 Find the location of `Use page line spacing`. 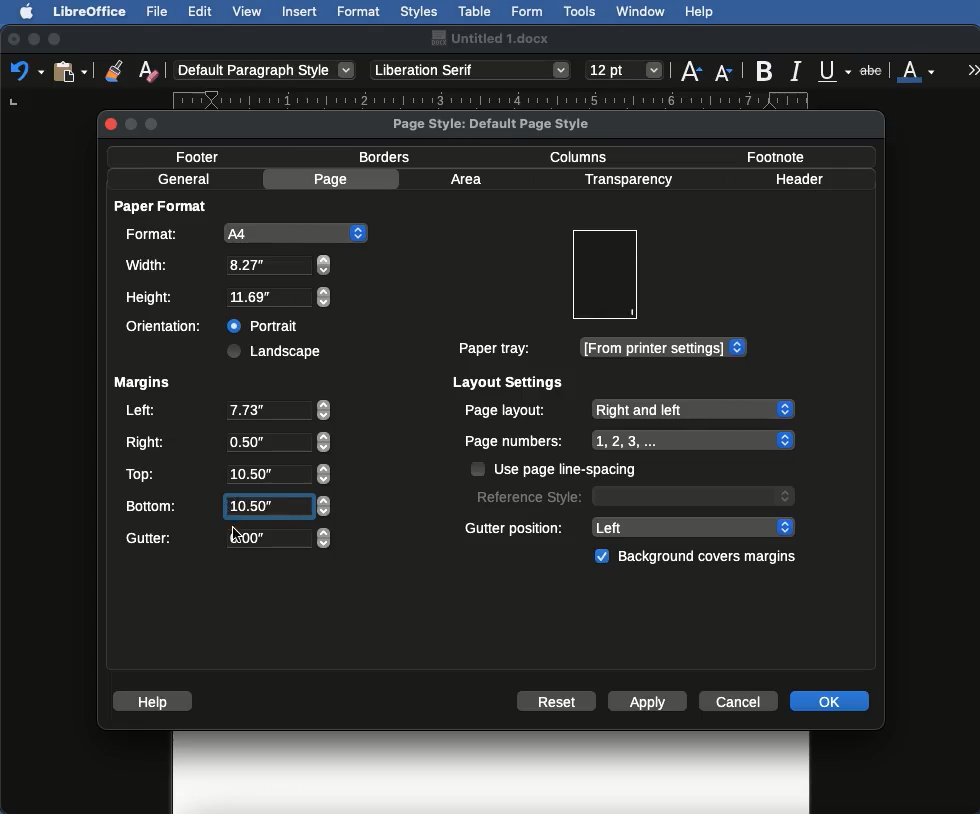

Use page line spacing is located at coordinates (556, 469).